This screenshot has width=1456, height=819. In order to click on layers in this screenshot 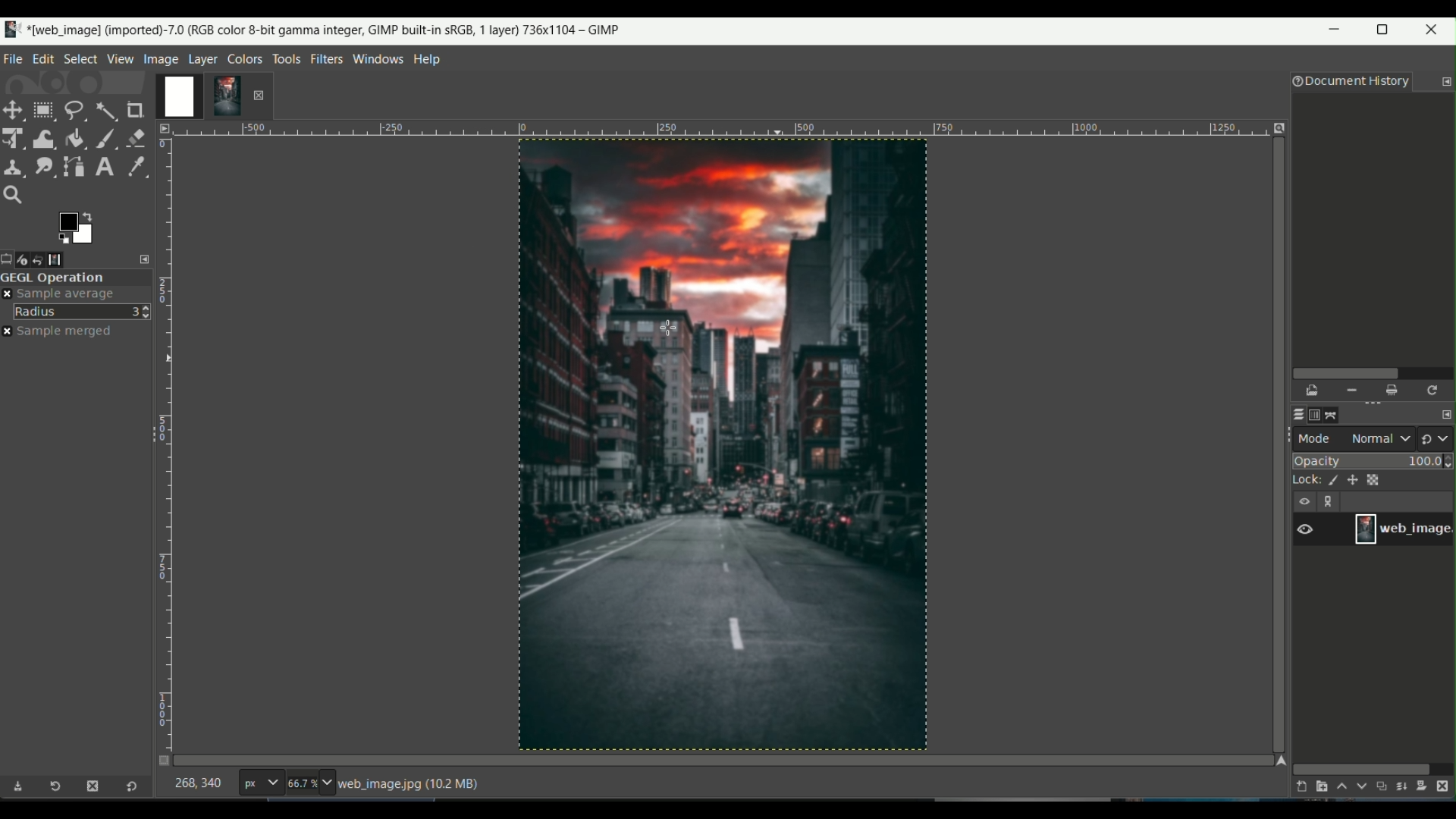, I will do `click(1295, 415)`.